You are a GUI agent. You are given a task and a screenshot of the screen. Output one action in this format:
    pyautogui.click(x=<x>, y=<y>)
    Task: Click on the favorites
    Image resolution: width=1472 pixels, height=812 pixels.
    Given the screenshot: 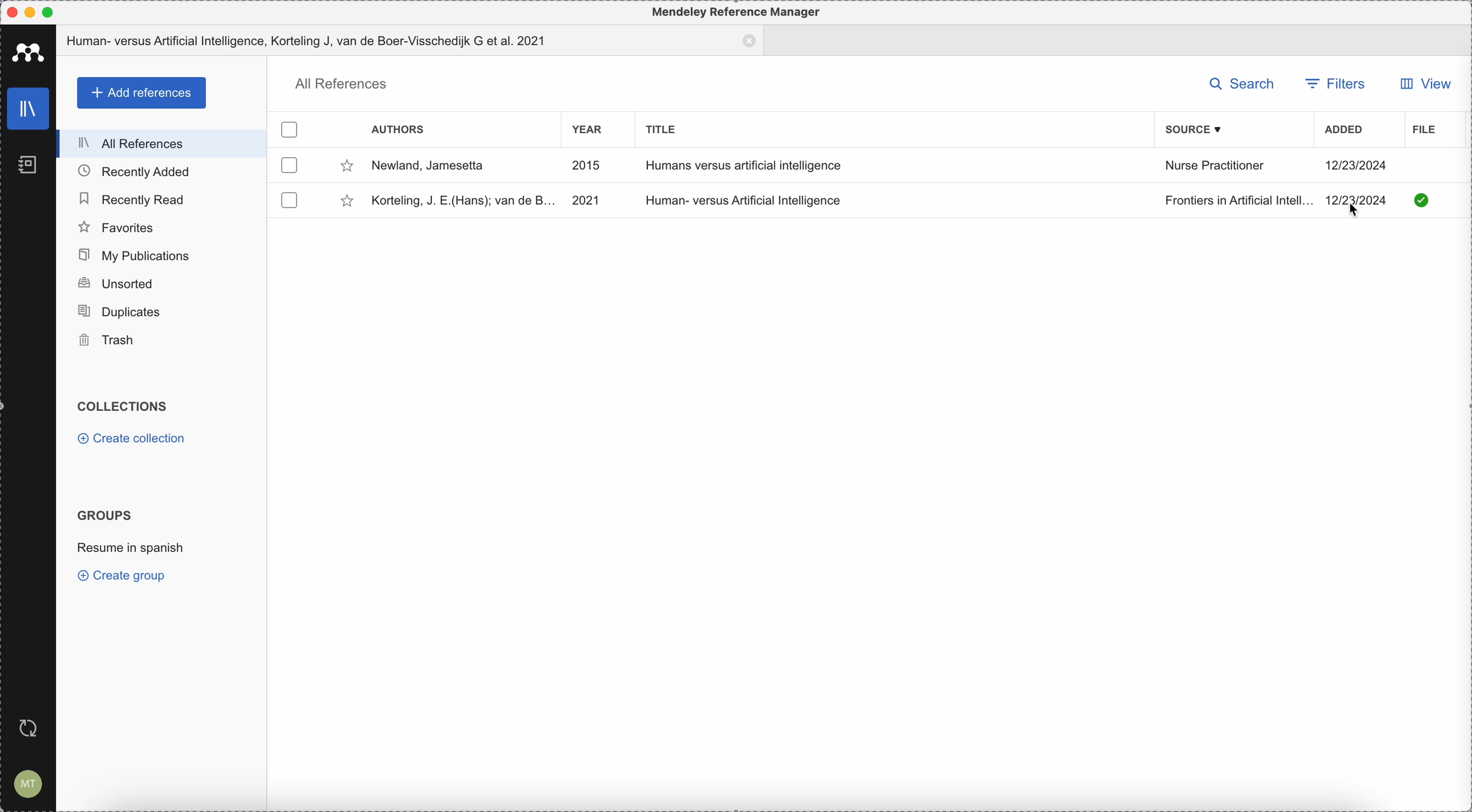 What is the action you would take?
    pyautogui.click(x=162, y=226)
    